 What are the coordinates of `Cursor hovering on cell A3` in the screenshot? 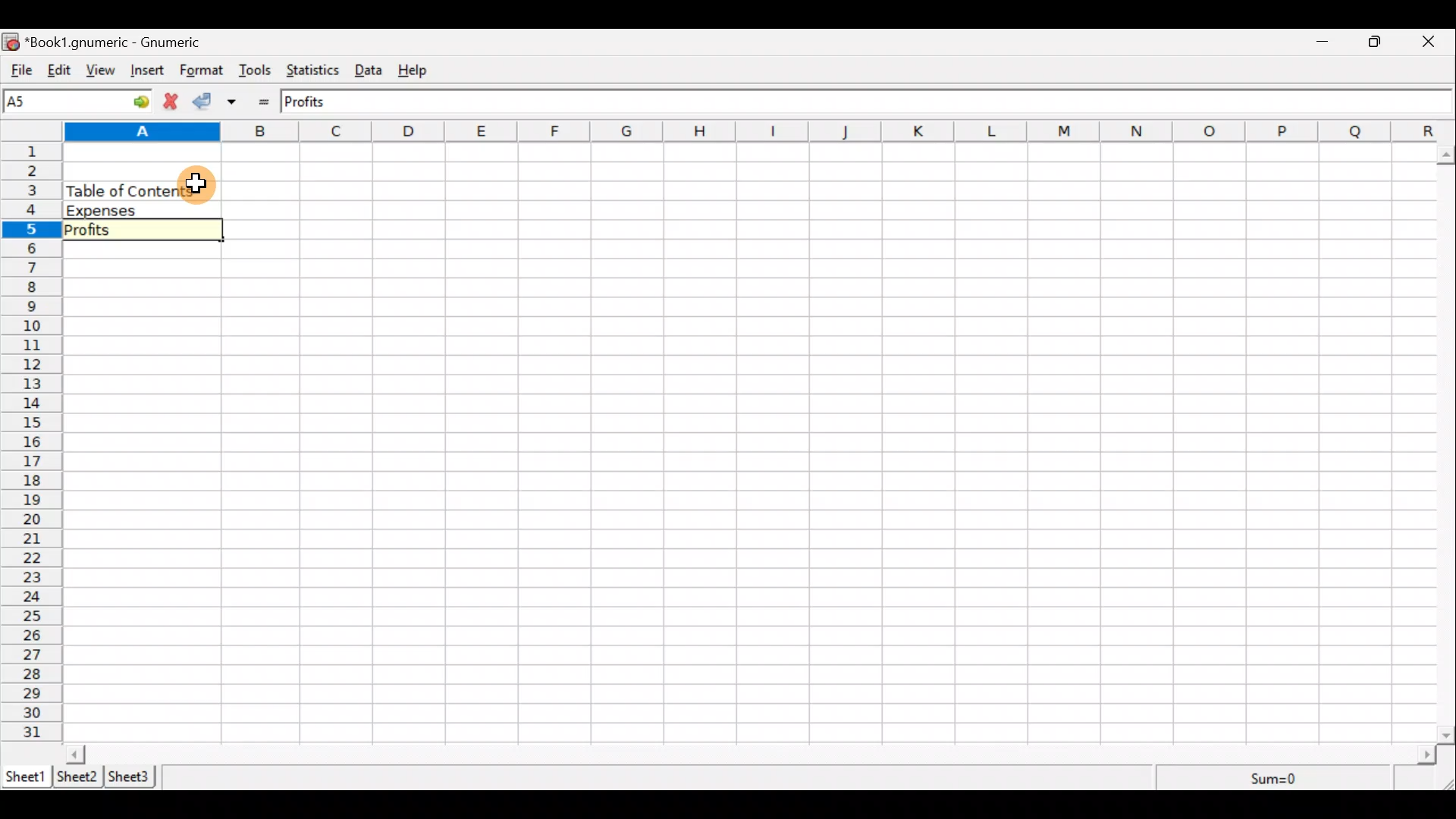 It's located at (197, 182).